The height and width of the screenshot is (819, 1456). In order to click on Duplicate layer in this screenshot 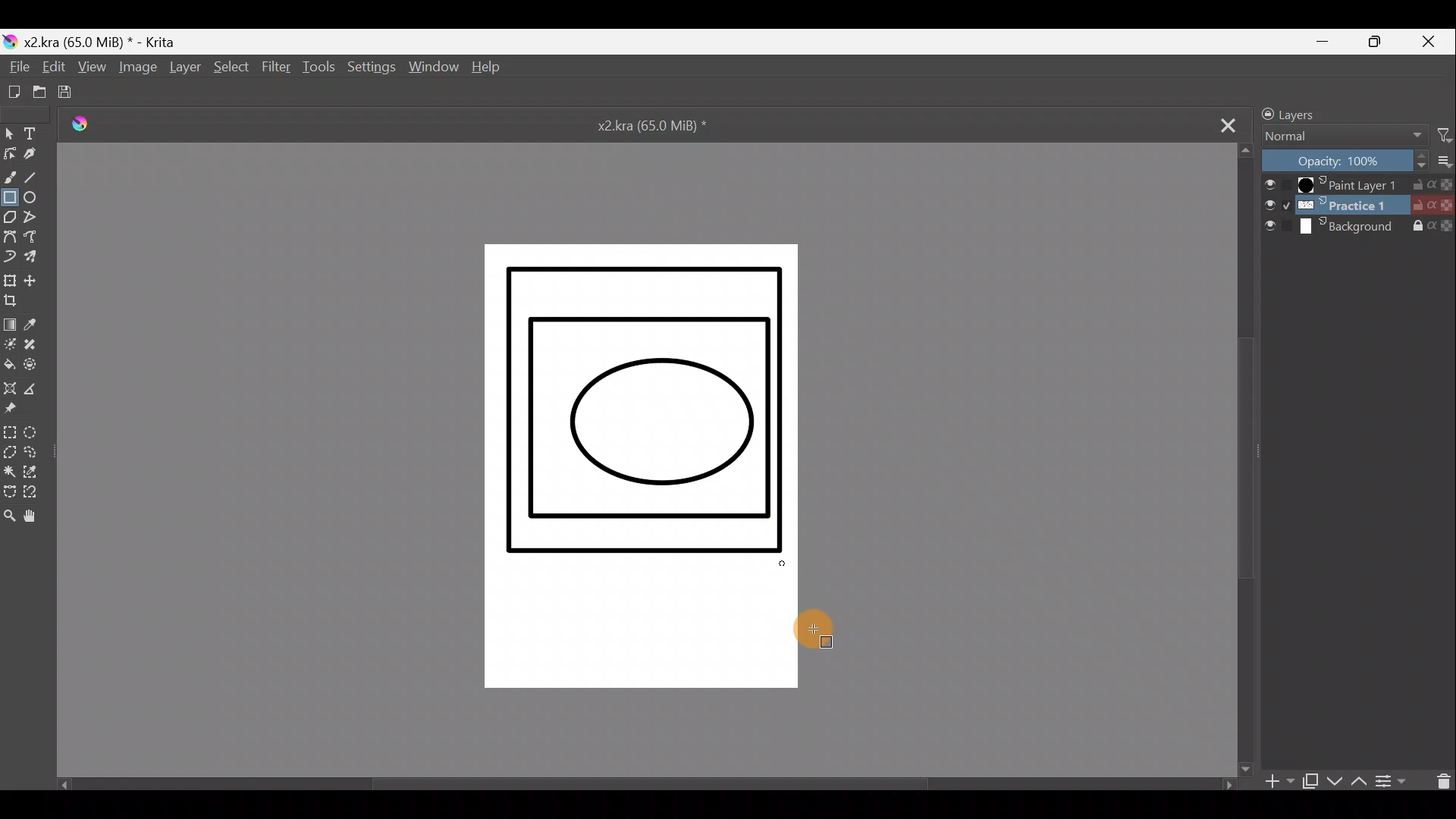, I will do `click(1310, 784)`.